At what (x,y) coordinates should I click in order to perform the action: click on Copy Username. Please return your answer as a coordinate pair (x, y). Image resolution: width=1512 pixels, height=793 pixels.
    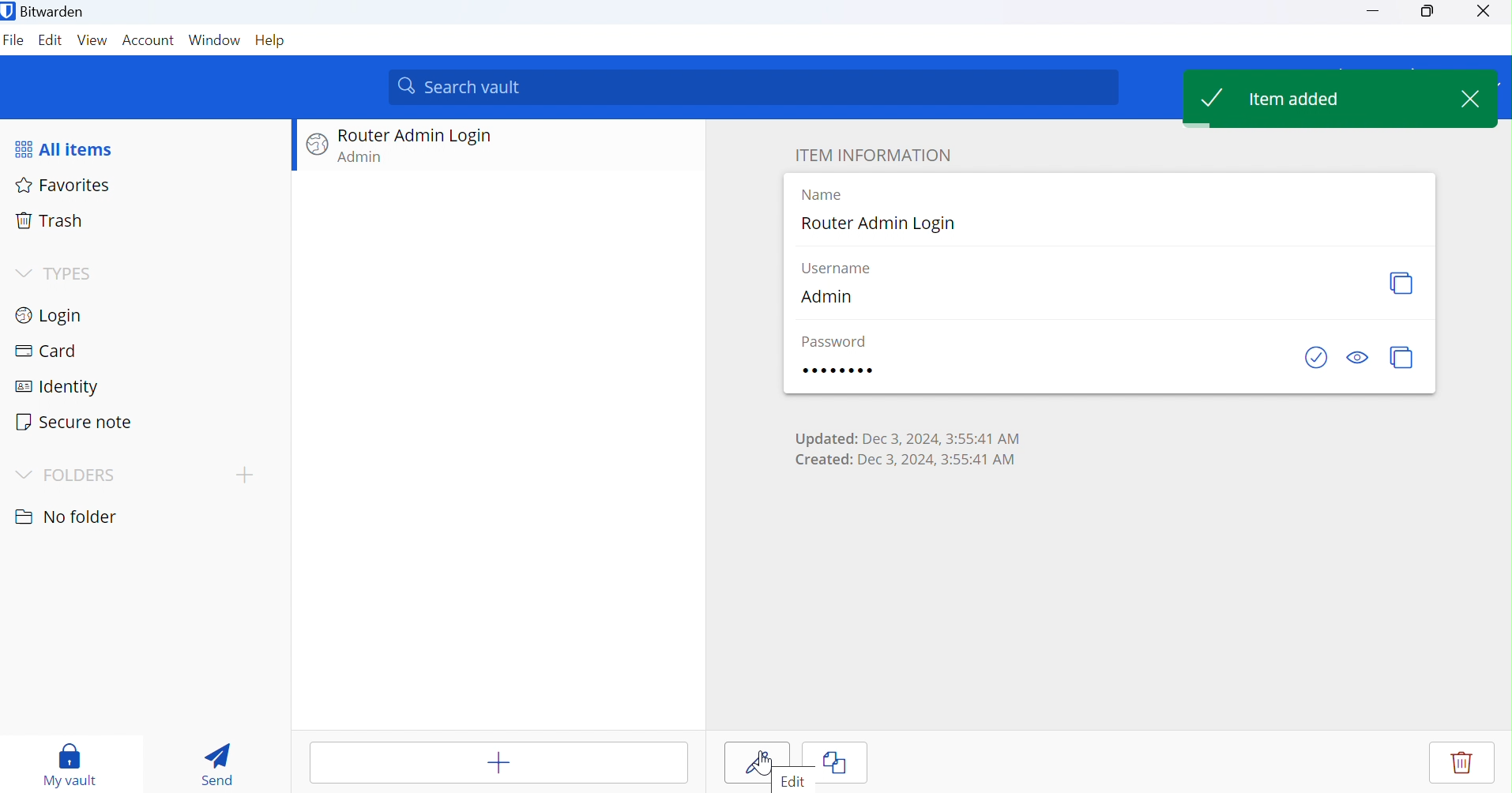
    Looking at the image, I should click on (1401, 284).